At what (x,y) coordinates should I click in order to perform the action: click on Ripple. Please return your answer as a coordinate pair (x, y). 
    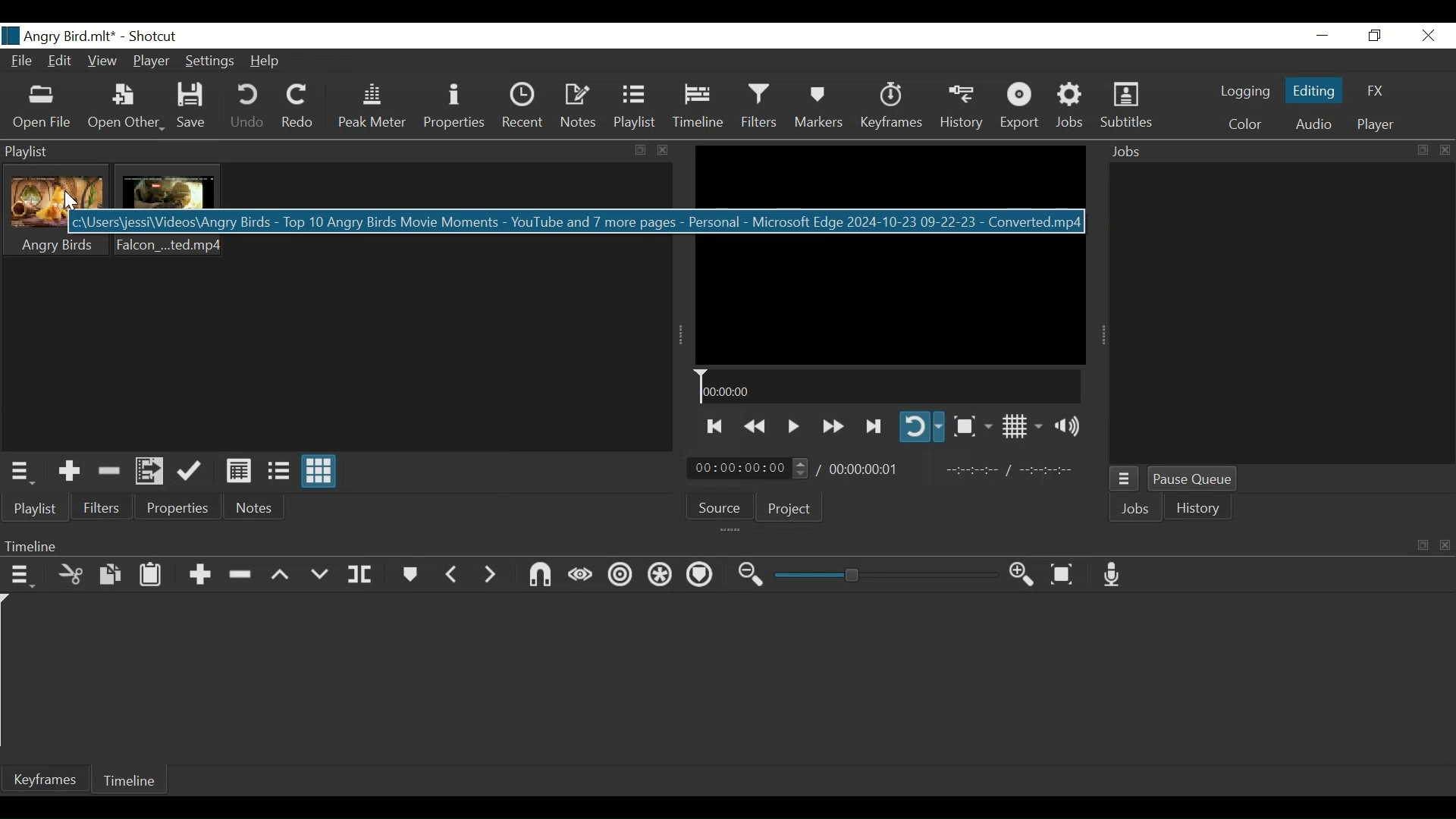
    Looking at the image, I should click on (620, 575).